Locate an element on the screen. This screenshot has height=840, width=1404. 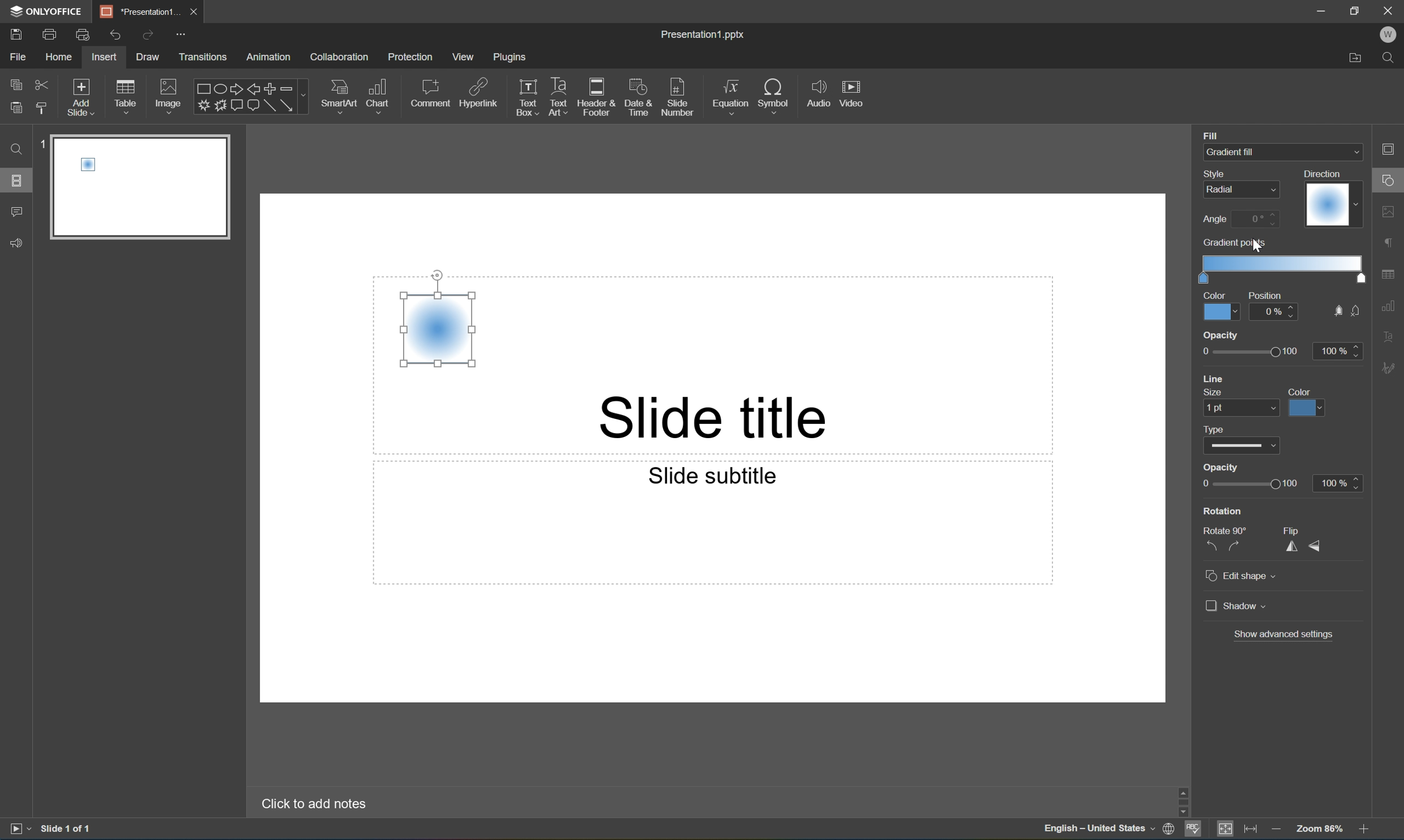
Ellipse is located at coordinates (219, 90).